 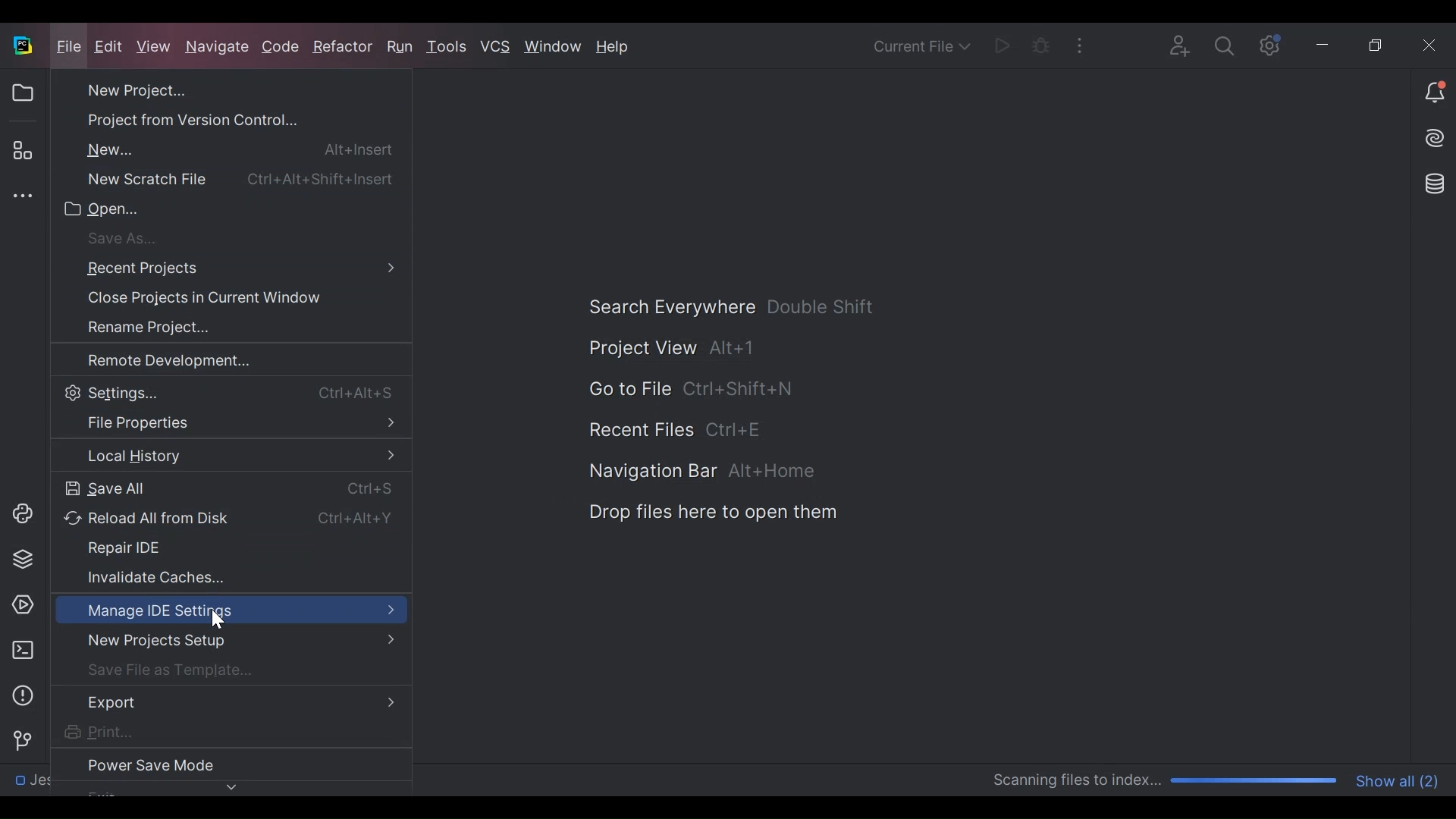 I want to click on Project View, so click(x=22, y=93).